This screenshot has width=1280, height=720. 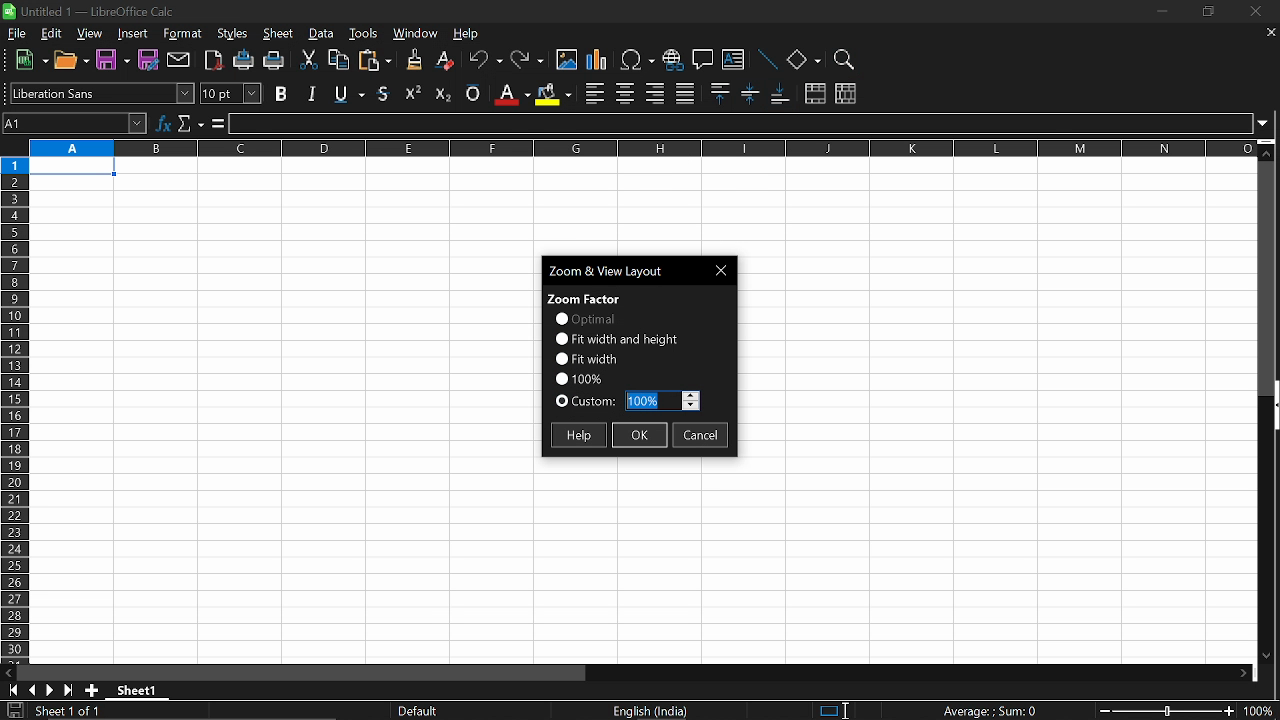 What do you see at coordinates (350, 92) in the screenshot?
I see `strikethough` at bounding box center [350, 92].